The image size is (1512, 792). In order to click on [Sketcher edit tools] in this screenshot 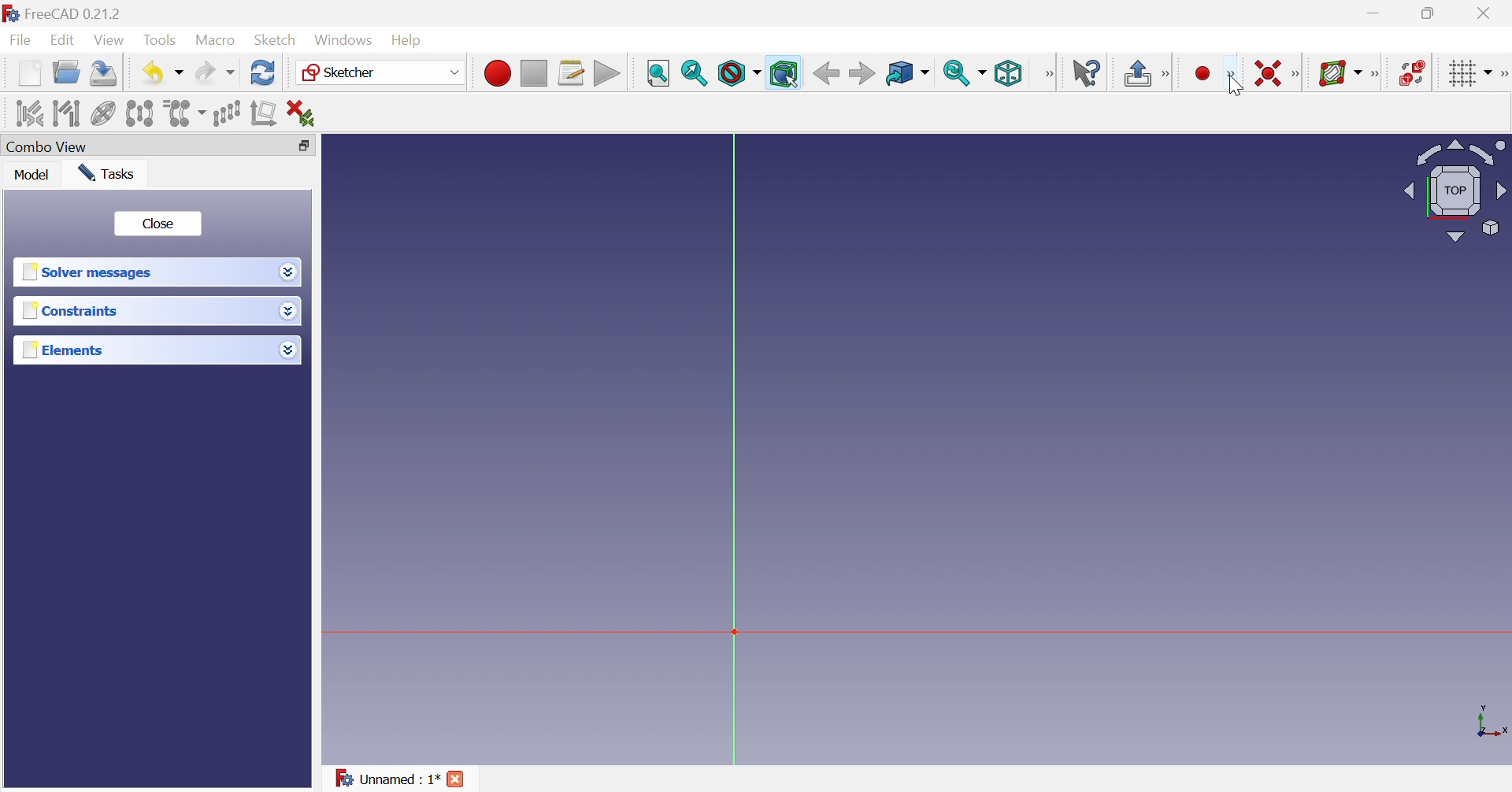, I will do `click(1503, 73)`.